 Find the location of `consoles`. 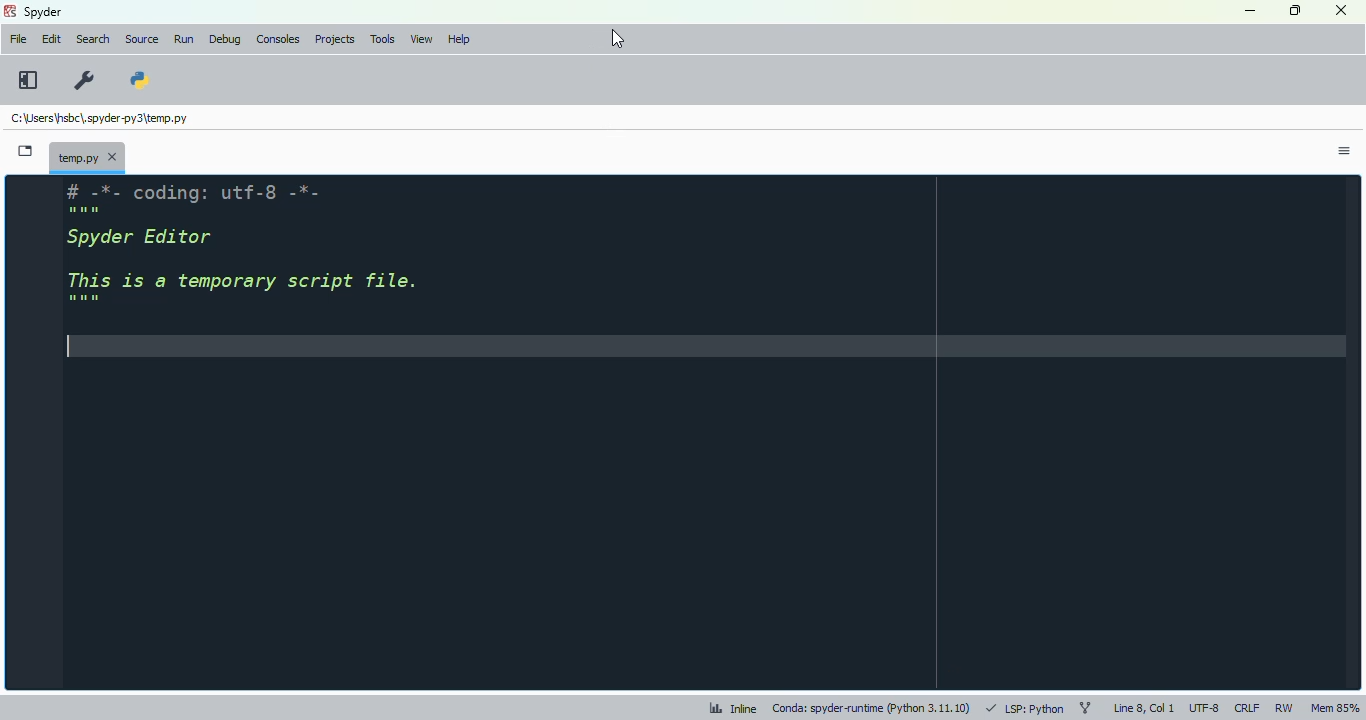

consoles is located at coordinates (278, 39).